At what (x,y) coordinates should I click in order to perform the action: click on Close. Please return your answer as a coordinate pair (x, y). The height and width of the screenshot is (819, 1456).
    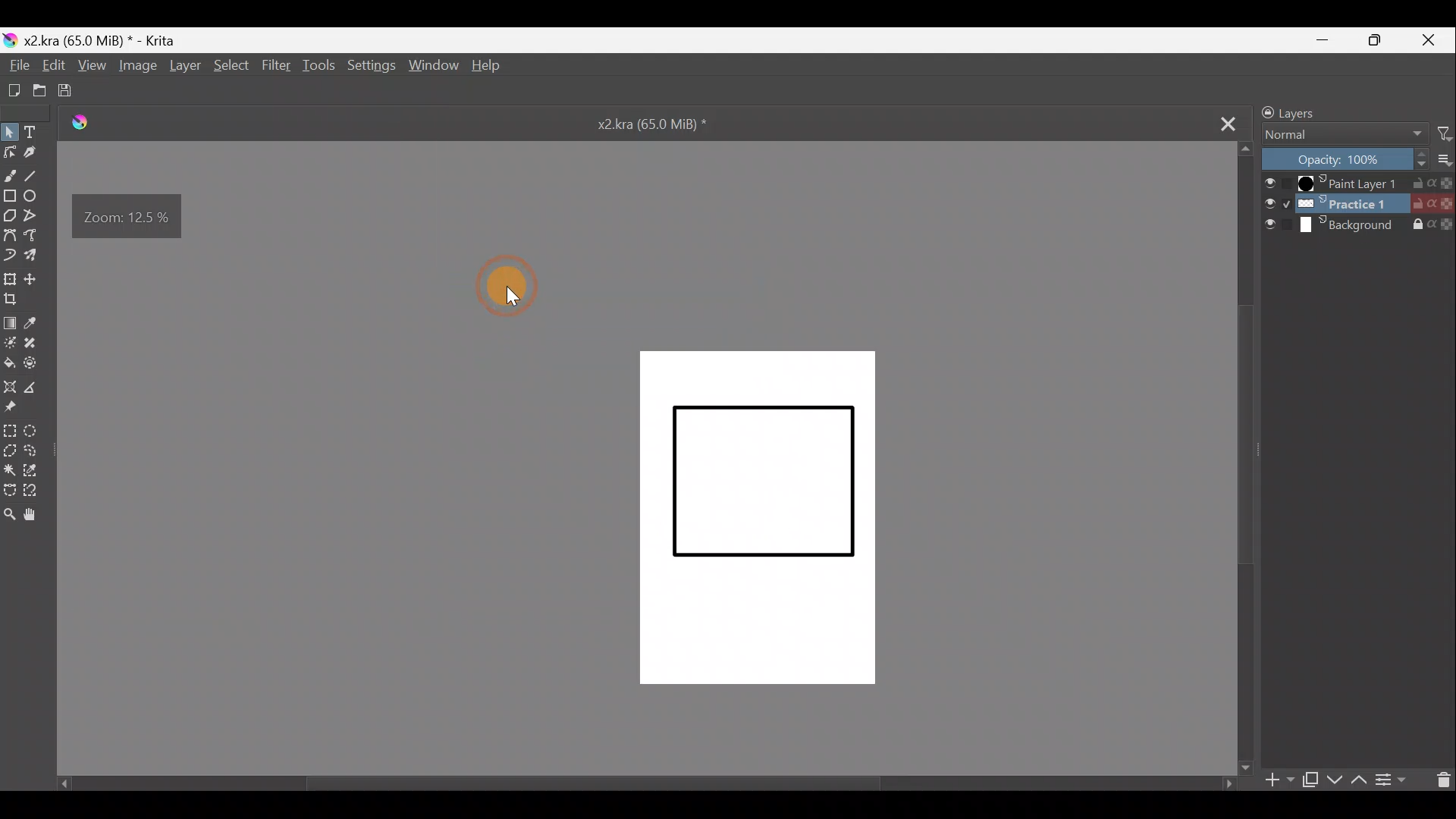
    Looking at the image, I should click on (1425, 40).